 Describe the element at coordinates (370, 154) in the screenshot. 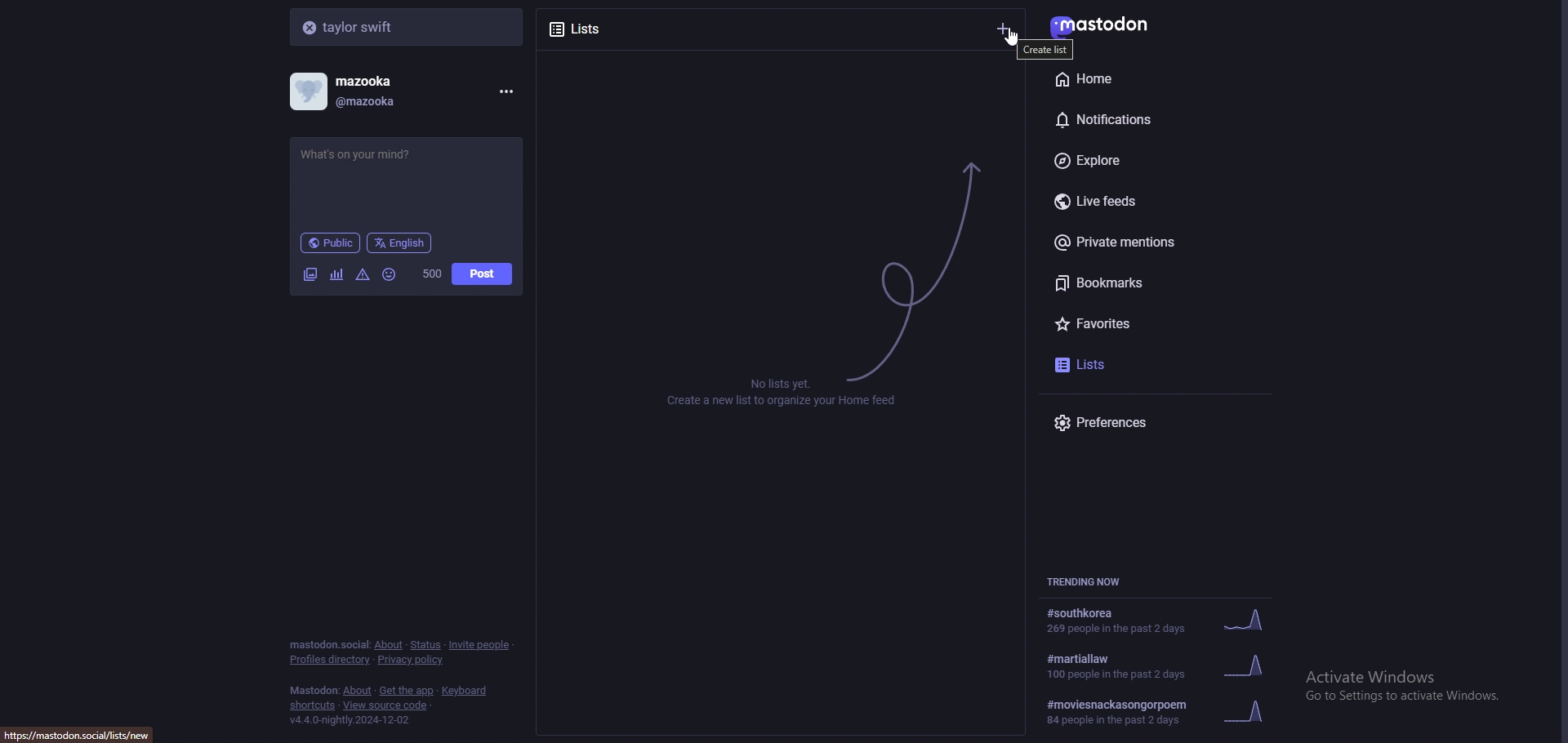

I see `status update` at that location.